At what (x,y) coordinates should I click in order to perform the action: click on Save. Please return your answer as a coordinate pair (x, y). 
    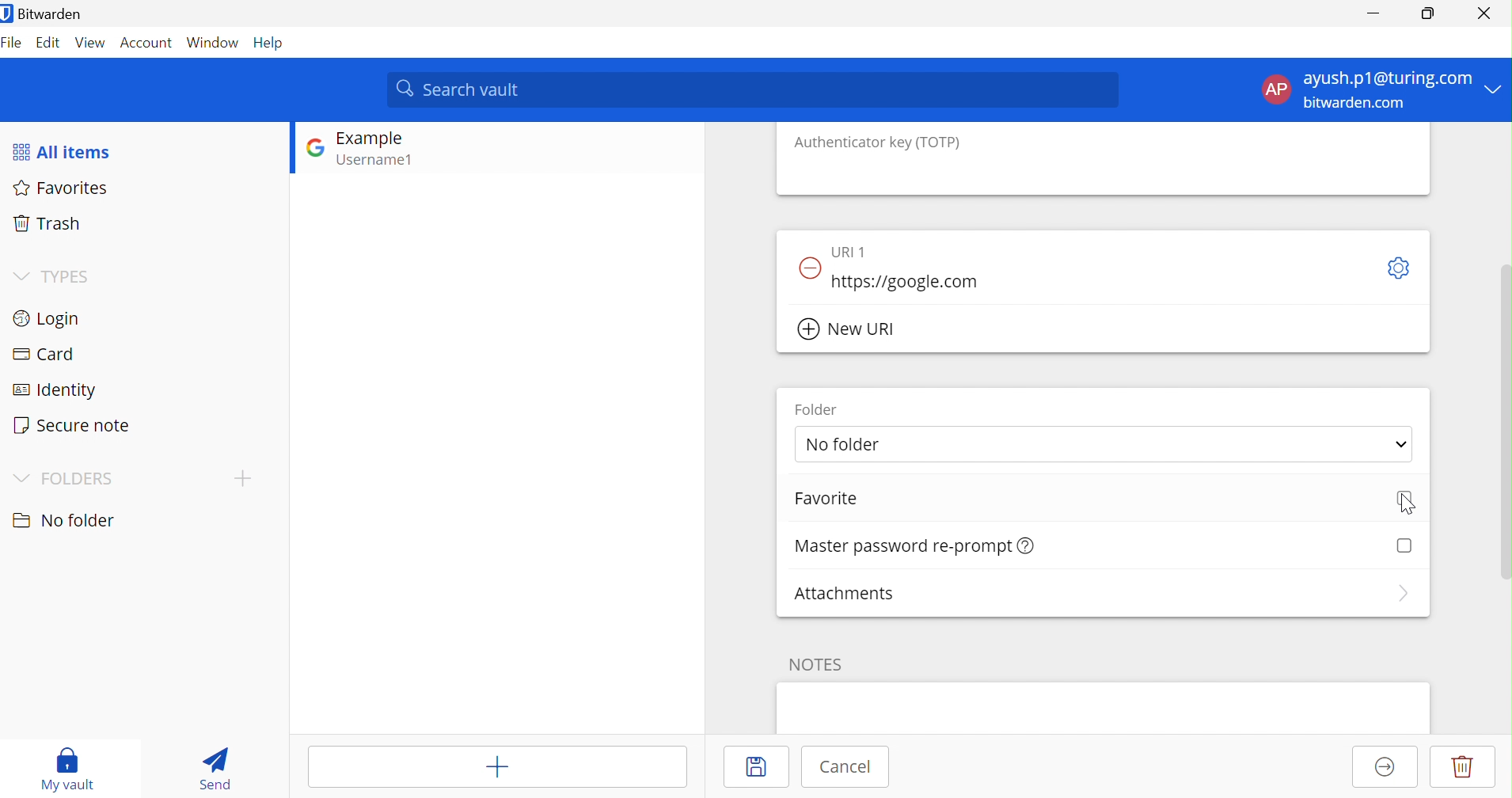
    Looking at the image, I should click on (758, 766).